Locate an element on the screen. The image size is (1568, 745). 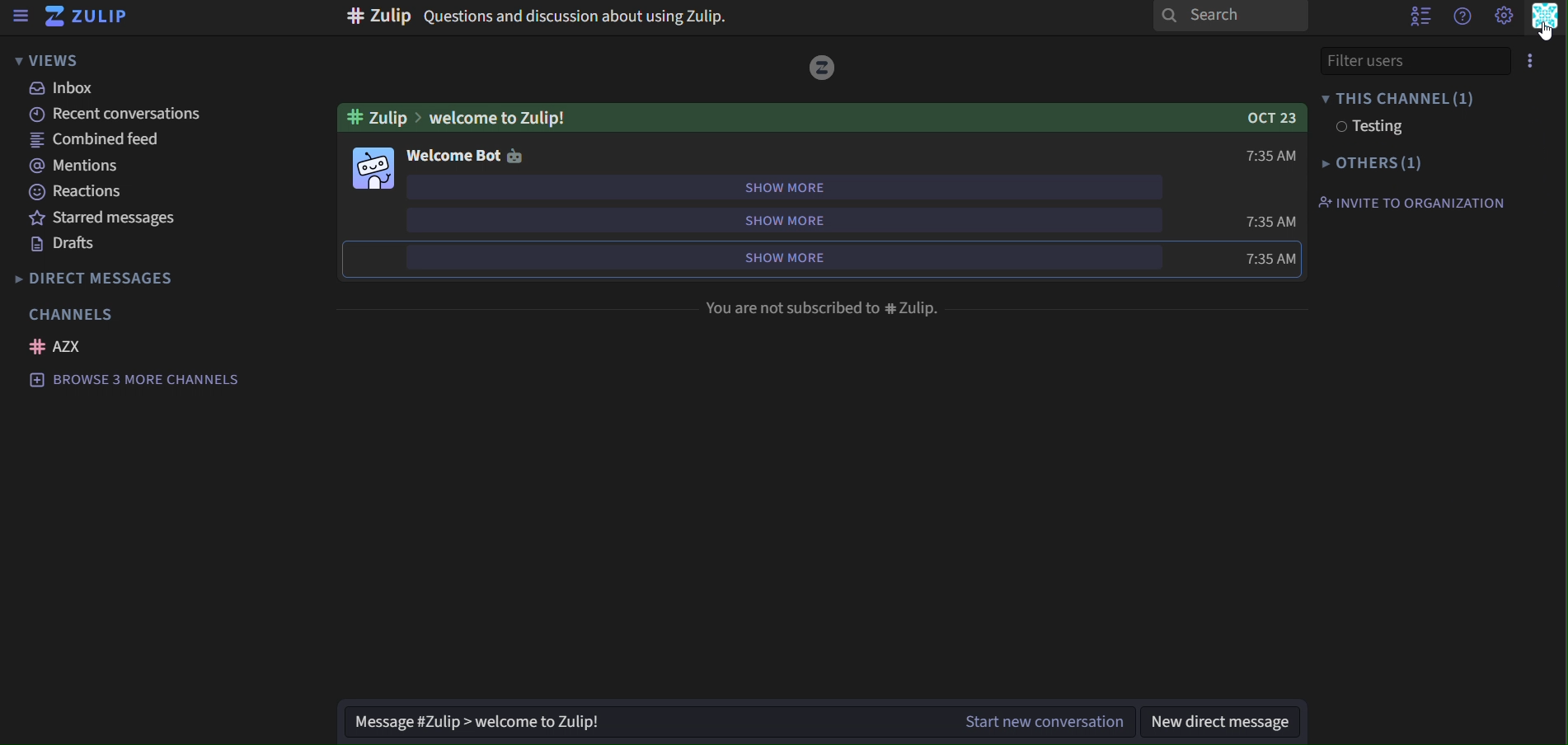
File User is located at coordinates (1400, 61).